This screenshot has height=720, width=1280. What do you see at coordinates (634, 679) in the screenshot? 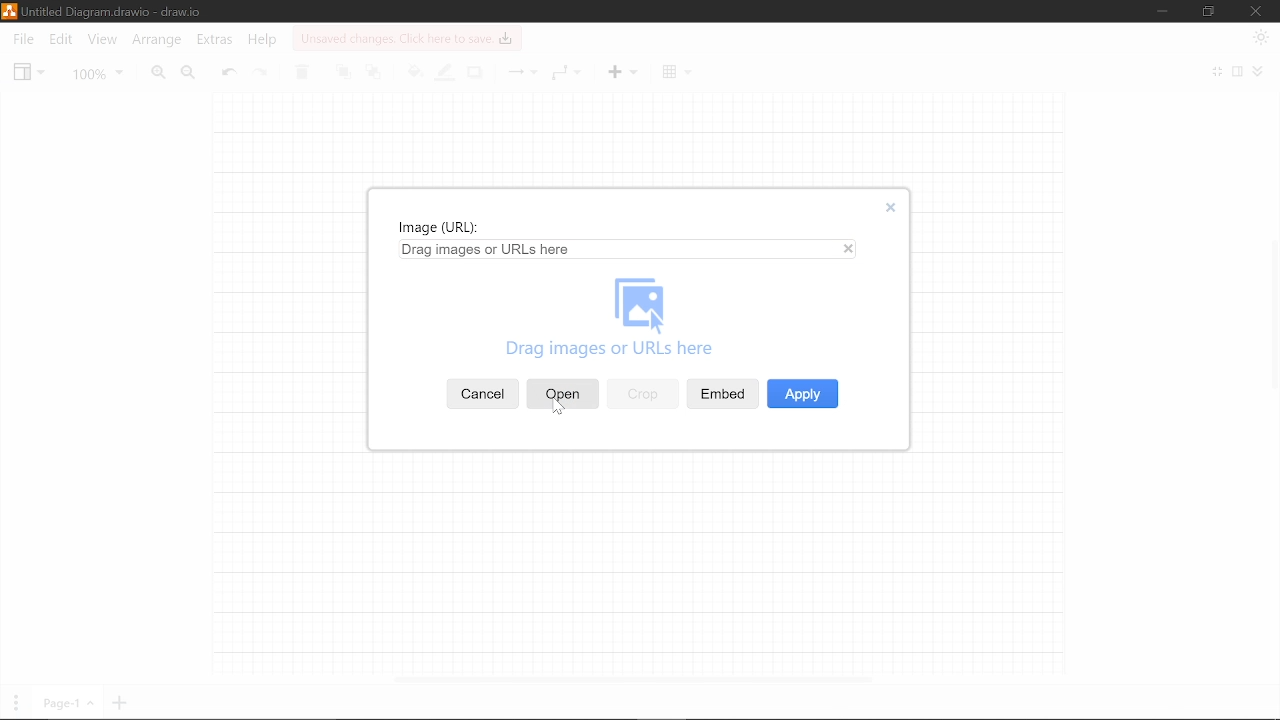
I see `Horizontal scrollbar` at bounding box center [634, 679].